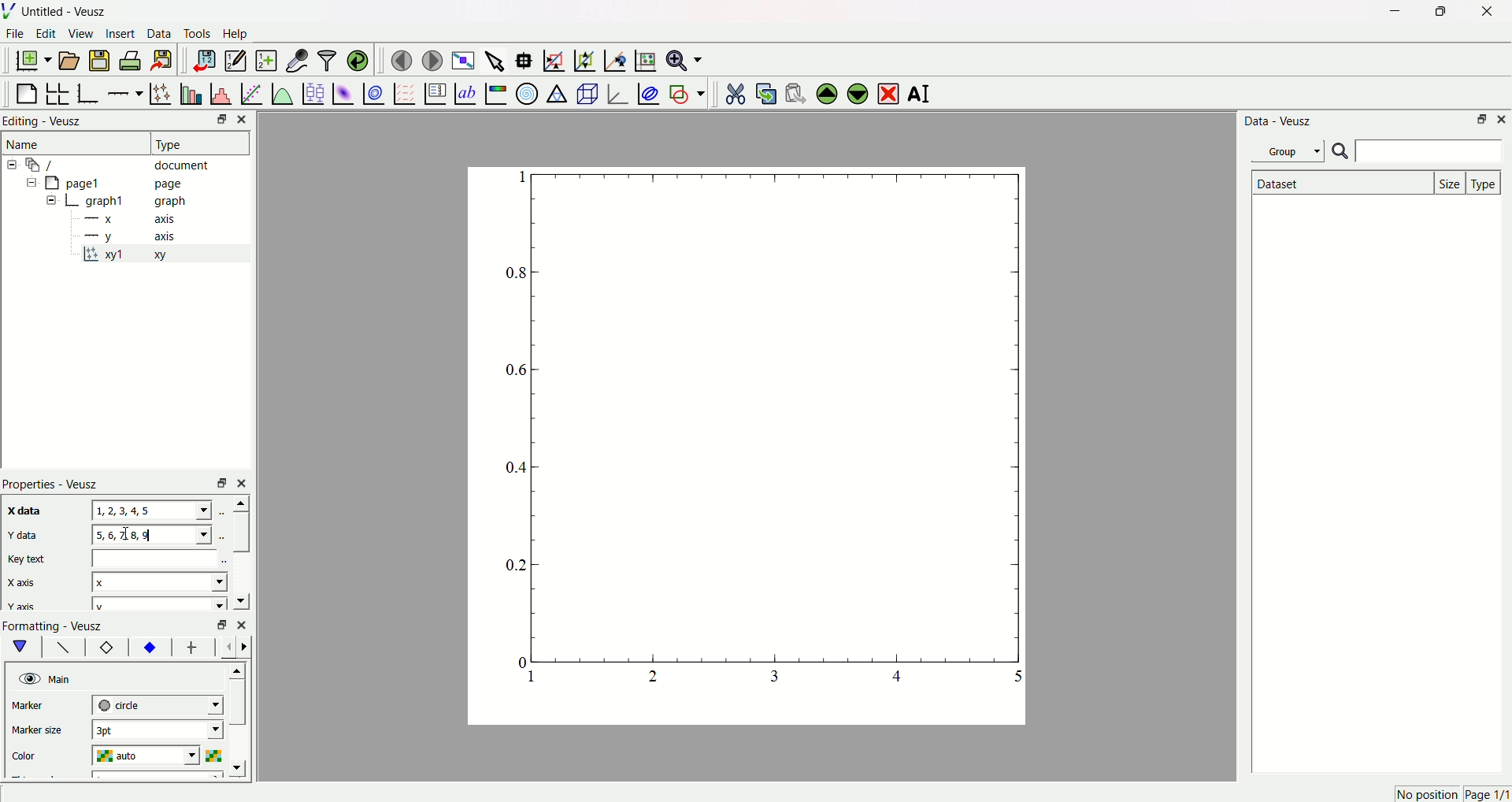 This screenshot has height=802, width=1512. I want to click on hide/unhide, so click(28, 678).